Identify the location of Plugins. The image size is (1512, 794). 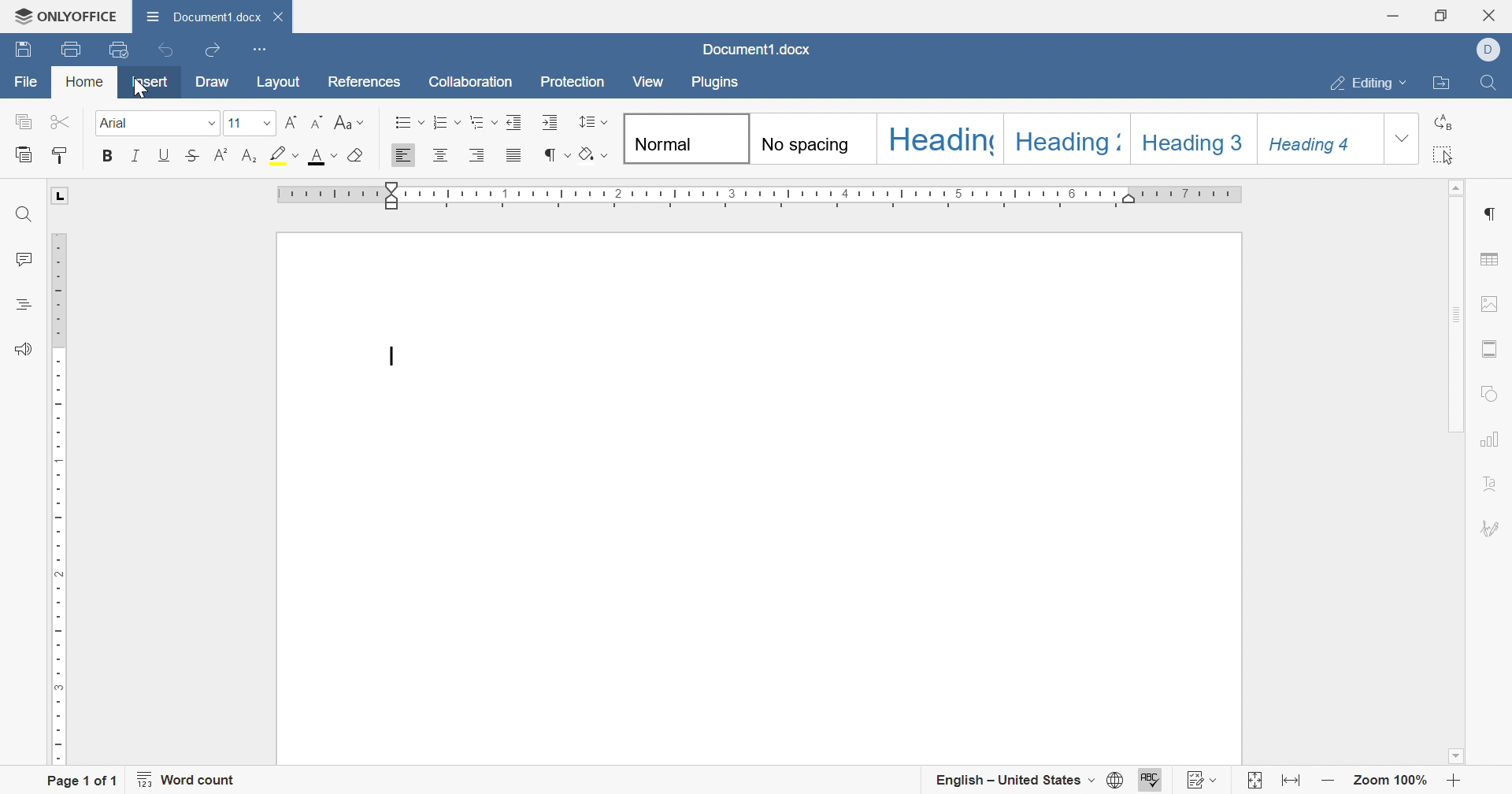
(721, 83).